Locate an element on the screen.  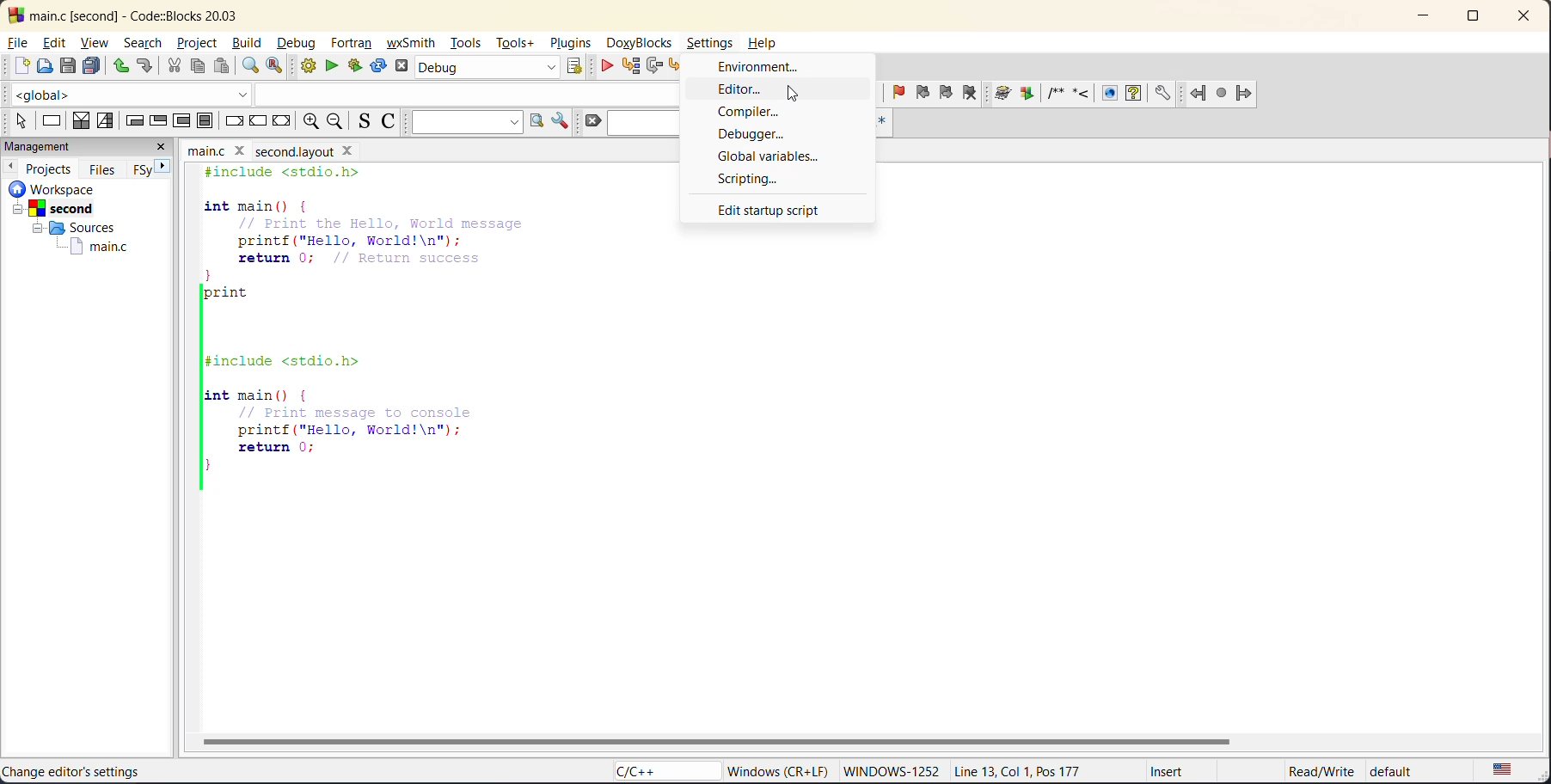
Second layout is located at coordinates (316, 149).